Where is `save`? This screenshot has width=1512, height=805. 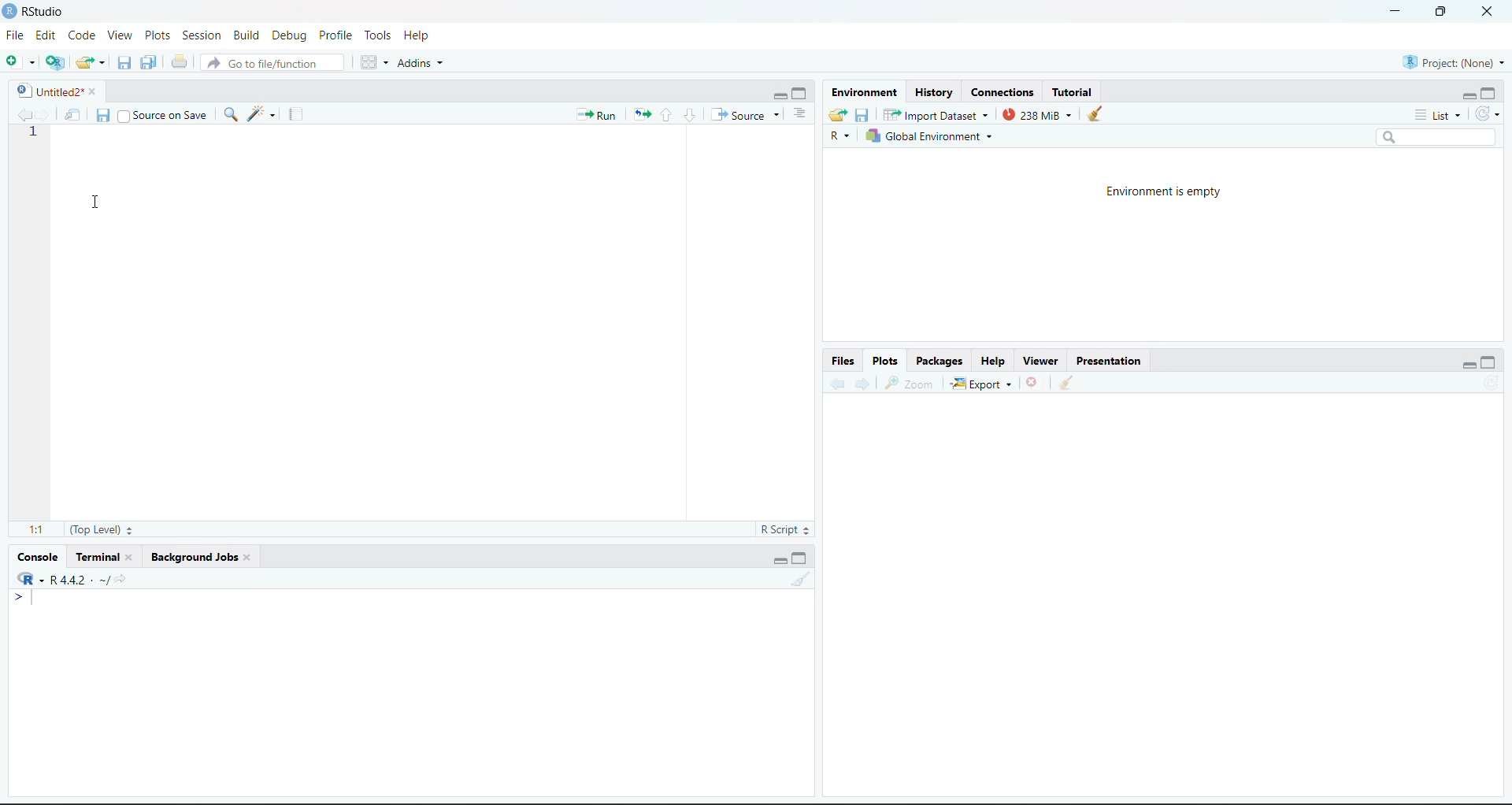
save is located at coordinates (103, 116).